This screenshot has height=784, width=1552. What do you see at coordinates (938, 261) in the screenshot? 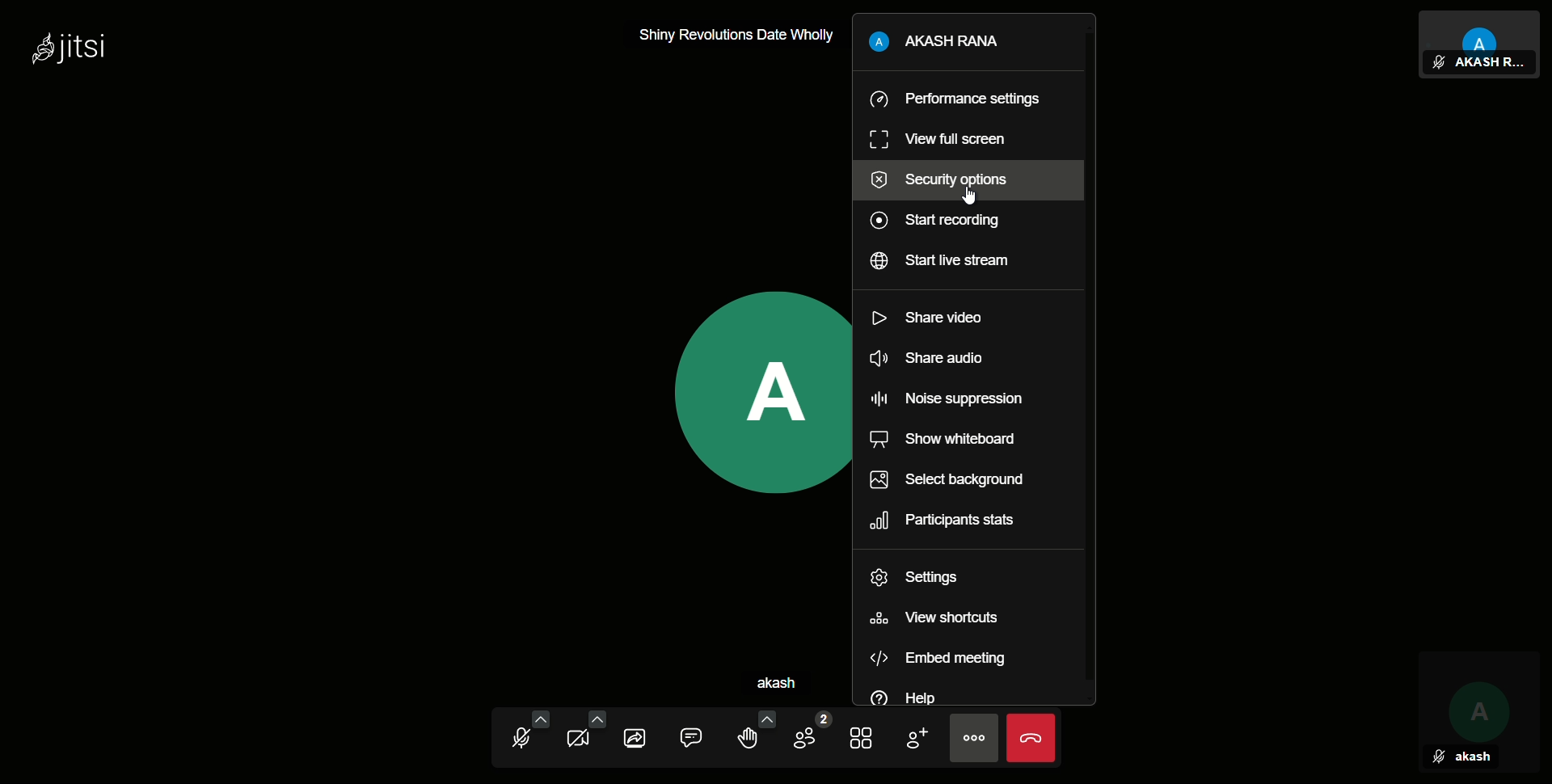
I see `start live stream` at bounding box center [938, 261].